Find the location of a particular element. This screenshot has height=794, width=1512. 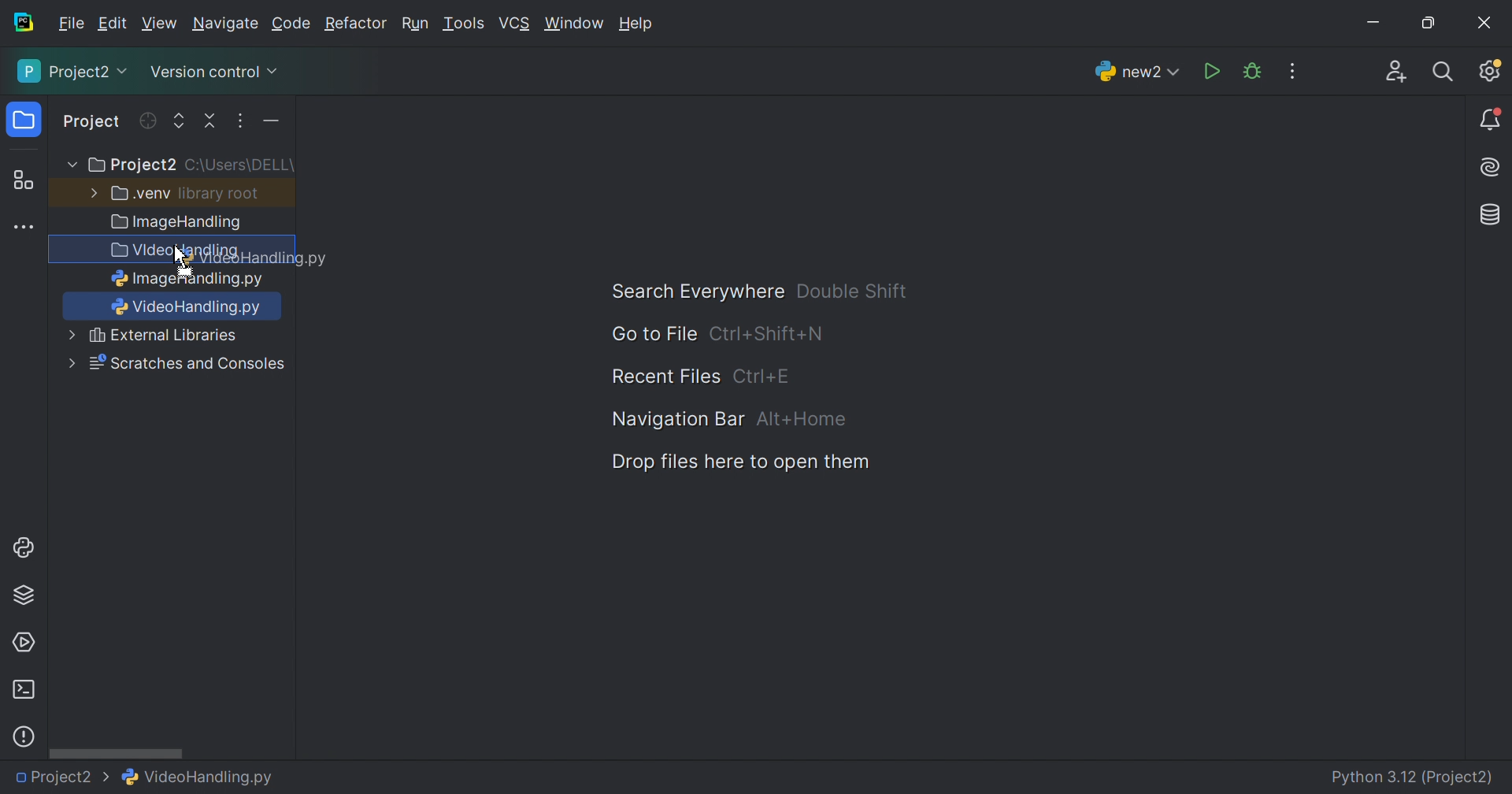

Ctrl+E is located at coordinates (762, 376).